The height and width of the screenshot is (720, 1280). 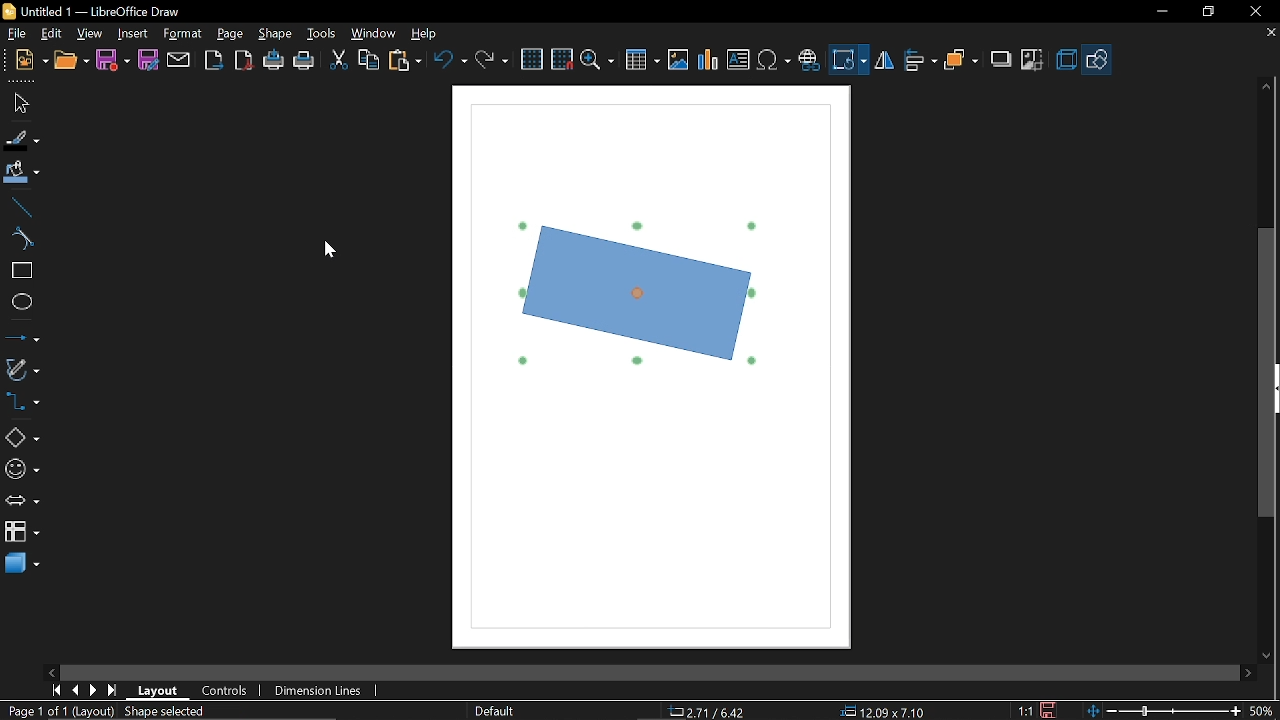 I want to click on Copy, so click(x=368, y=59).